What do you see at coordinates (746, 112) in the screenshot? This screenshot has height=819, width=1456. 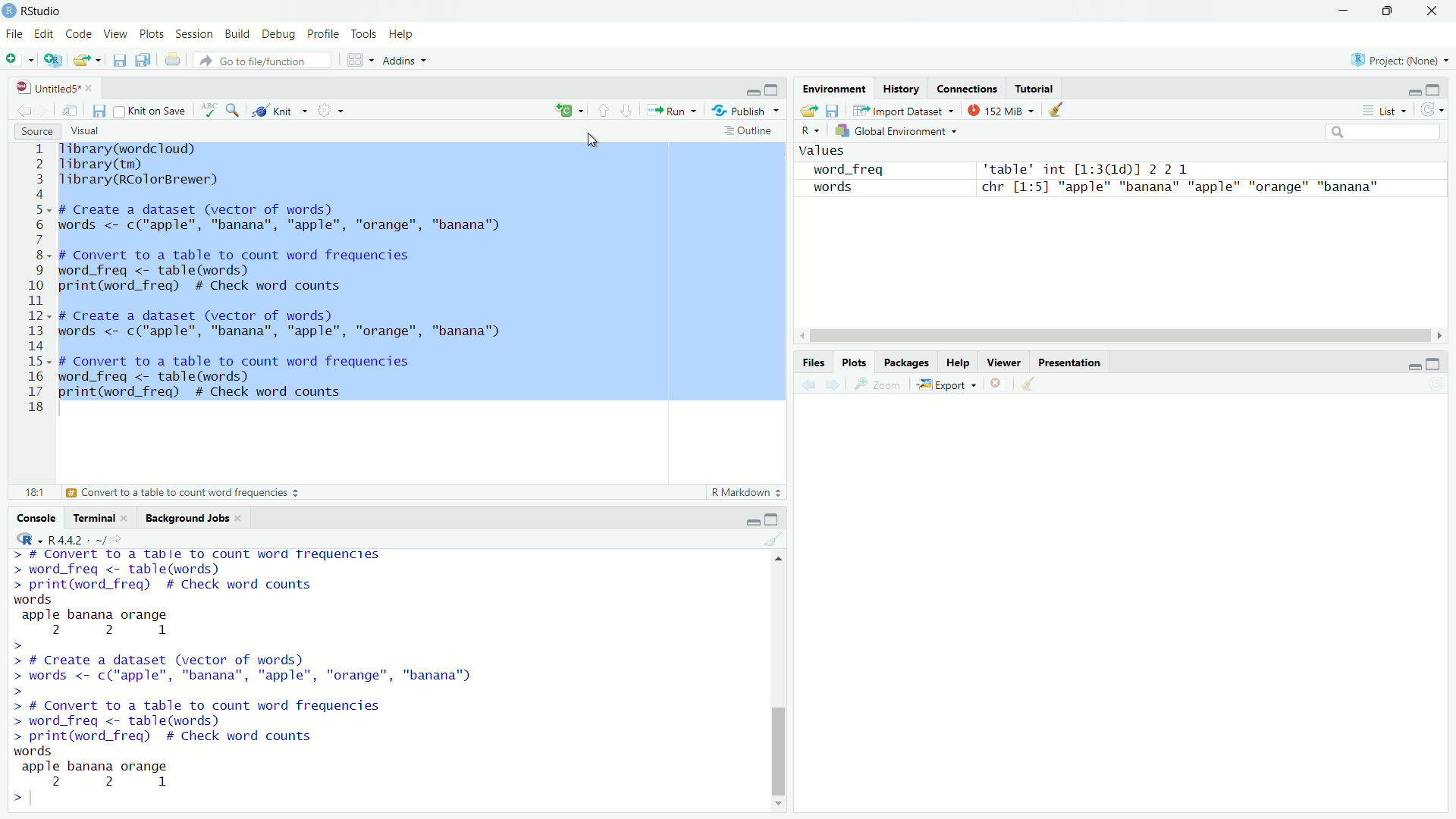 I see `Publish` at bounding box center [746, 112].